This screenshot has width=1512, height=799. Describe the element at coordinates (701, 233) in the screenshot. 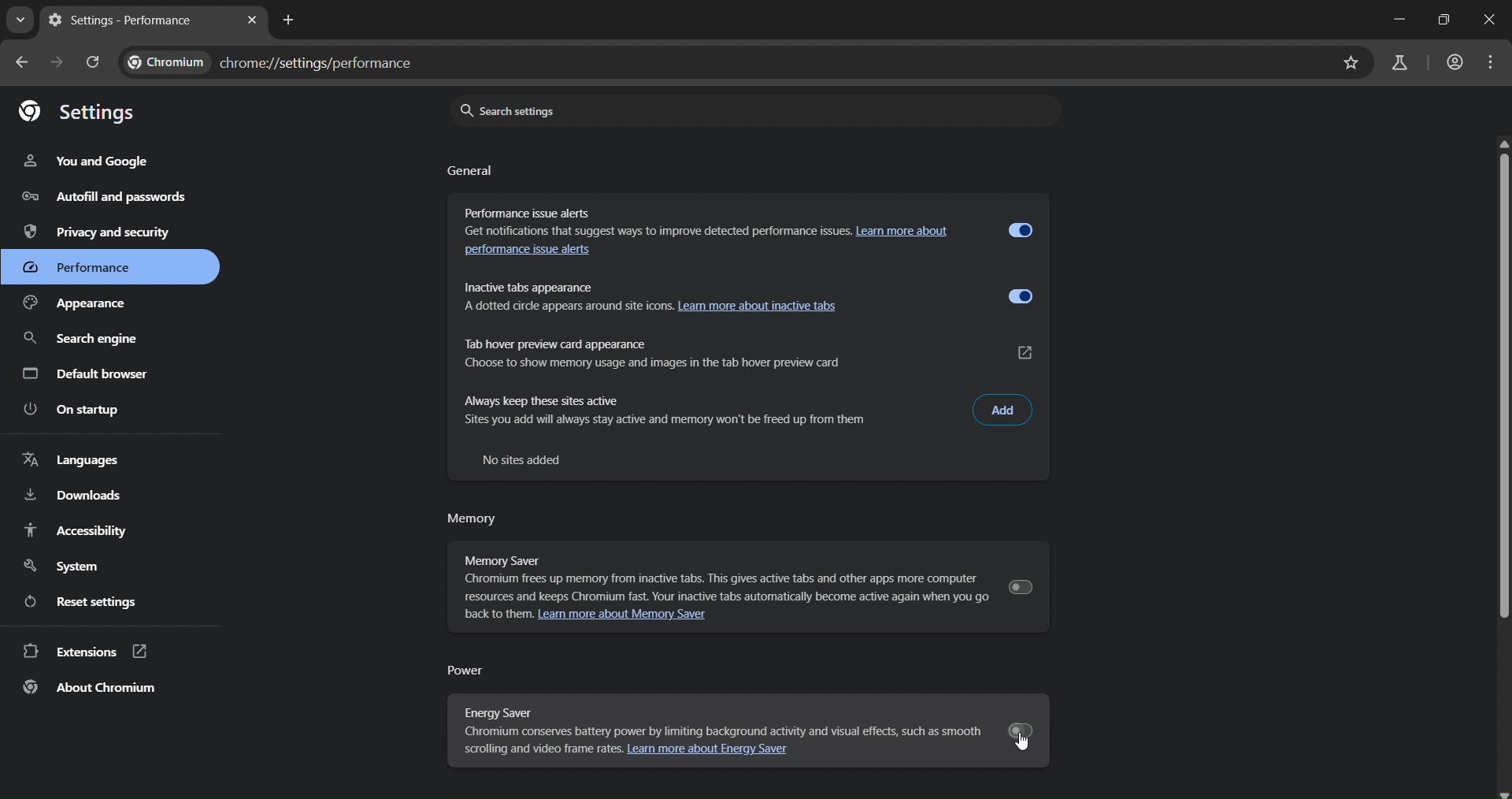

I see `performance issue alerts` at that location.